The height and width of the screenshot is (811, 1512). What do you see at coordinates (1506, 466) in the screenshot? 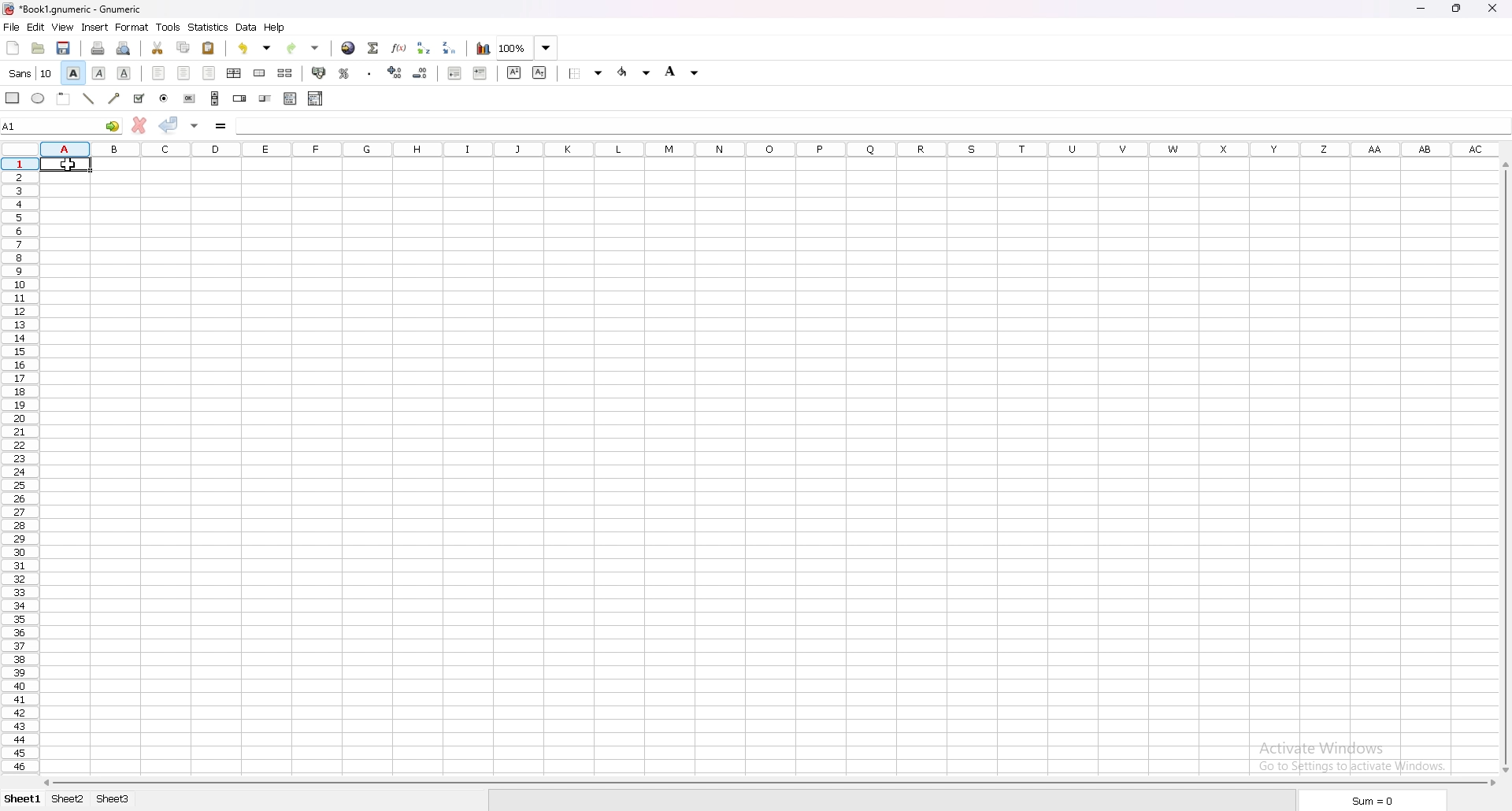
I see `scroll bar` at bounding box center [1506, 466].